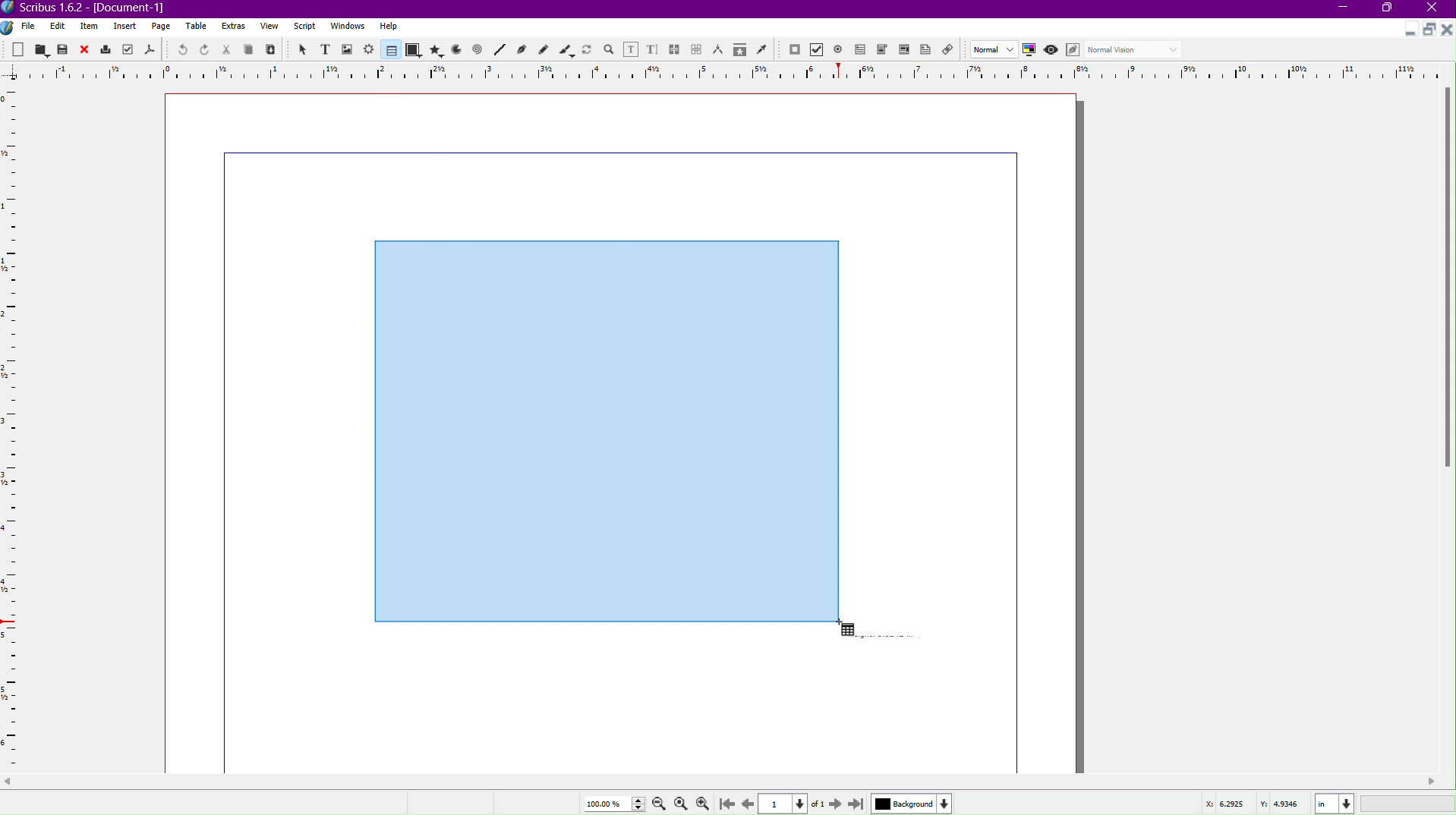 Image resolution: width=1456 pixels, height=815 pixels. What do you see at coordinates (205, 50) in the screenshot?
I see `Redo` at bounding box center [205, 50].